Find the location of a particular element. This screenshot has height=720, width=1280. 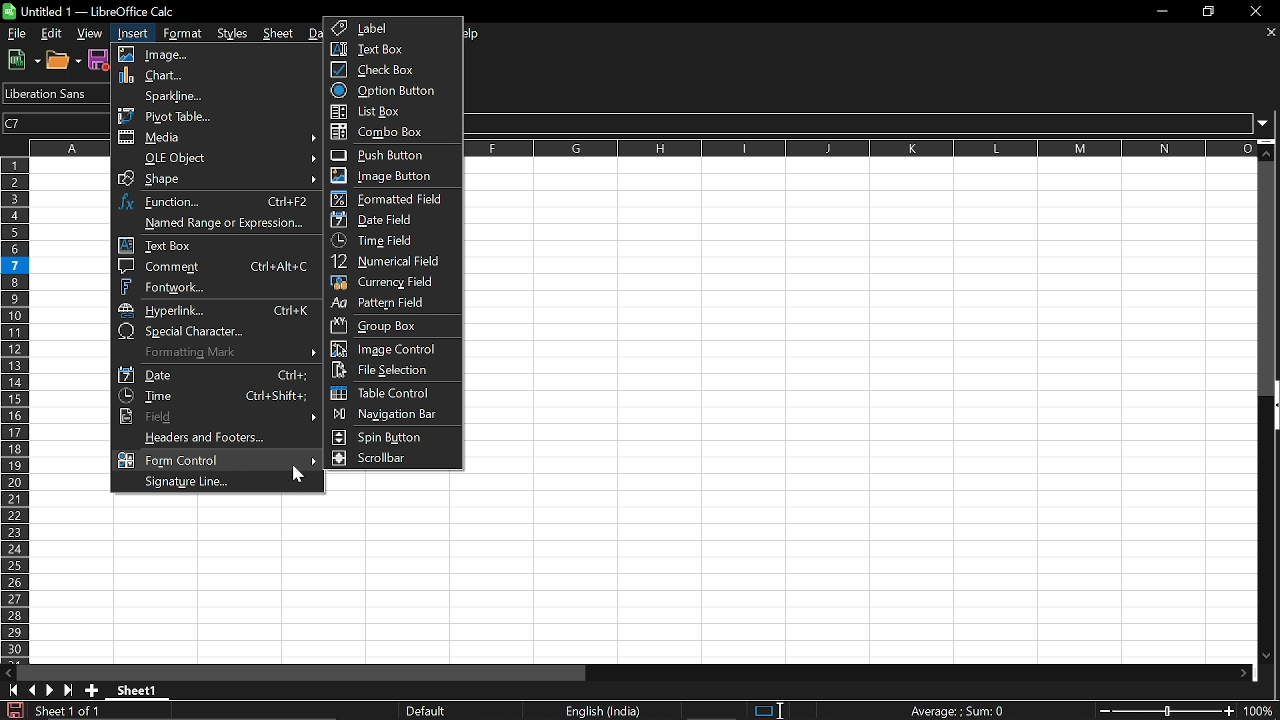

Media is located at coordinates (218, 139).